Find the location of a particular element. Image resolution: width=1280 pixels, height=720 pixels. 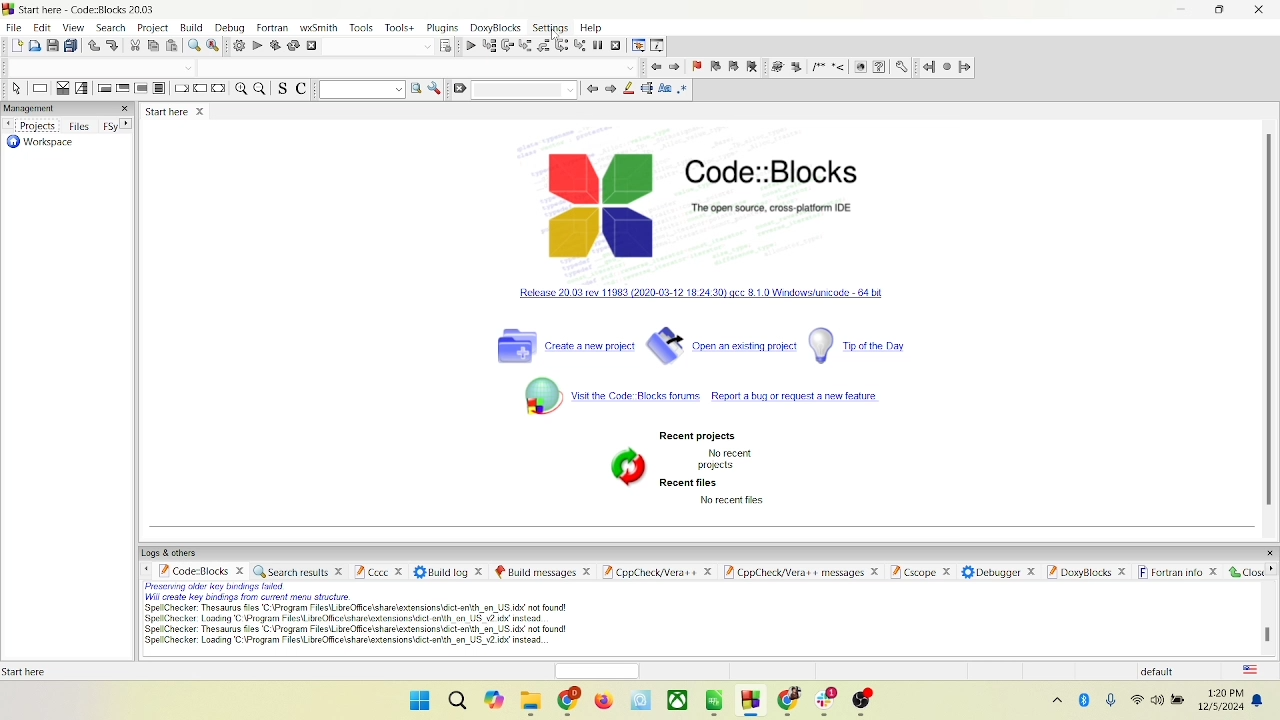

apps is located at coordinates (689, 698).